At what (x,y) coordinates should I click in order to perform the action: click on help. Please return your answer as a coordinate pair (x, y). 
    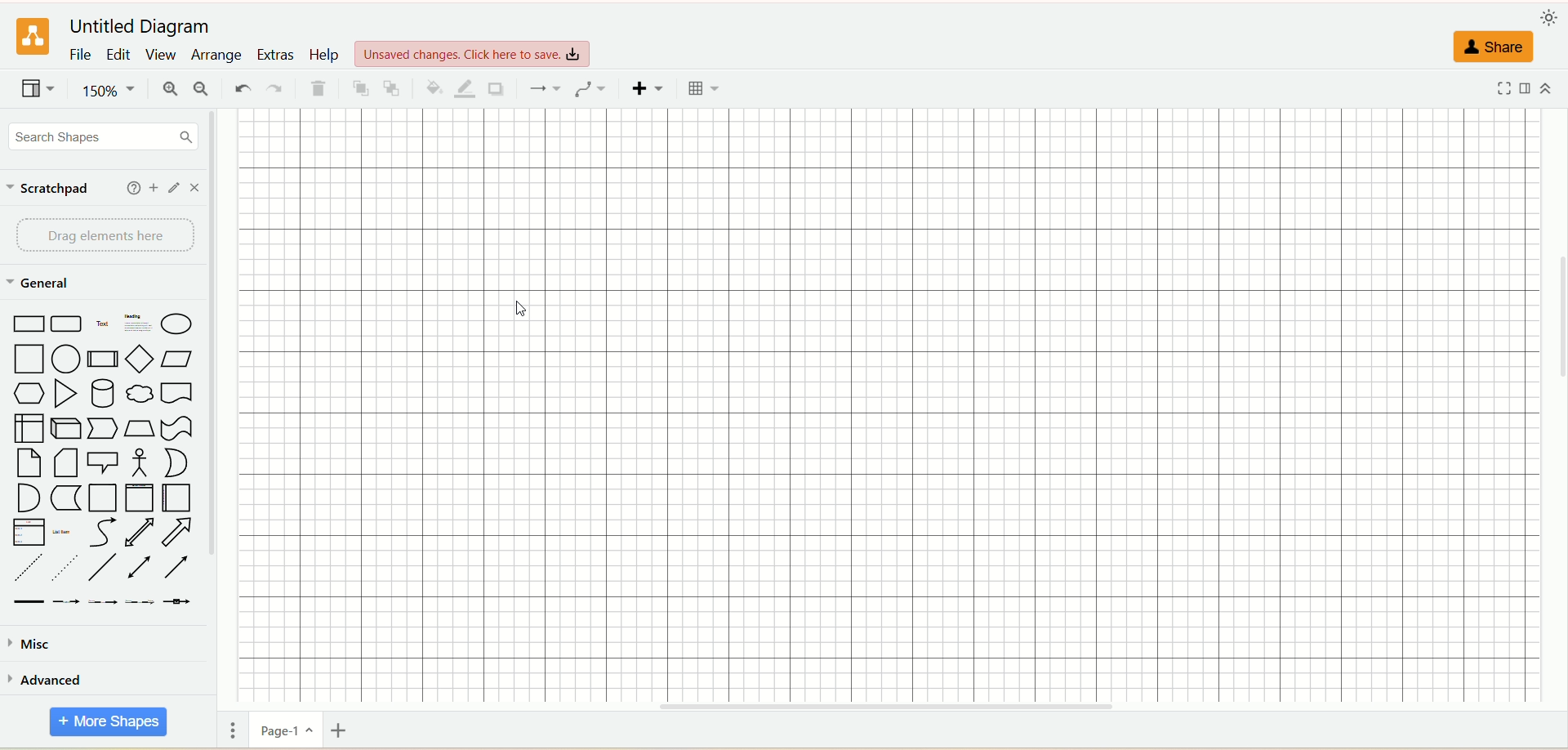
    Looking at the image, I should click on (324, 56).